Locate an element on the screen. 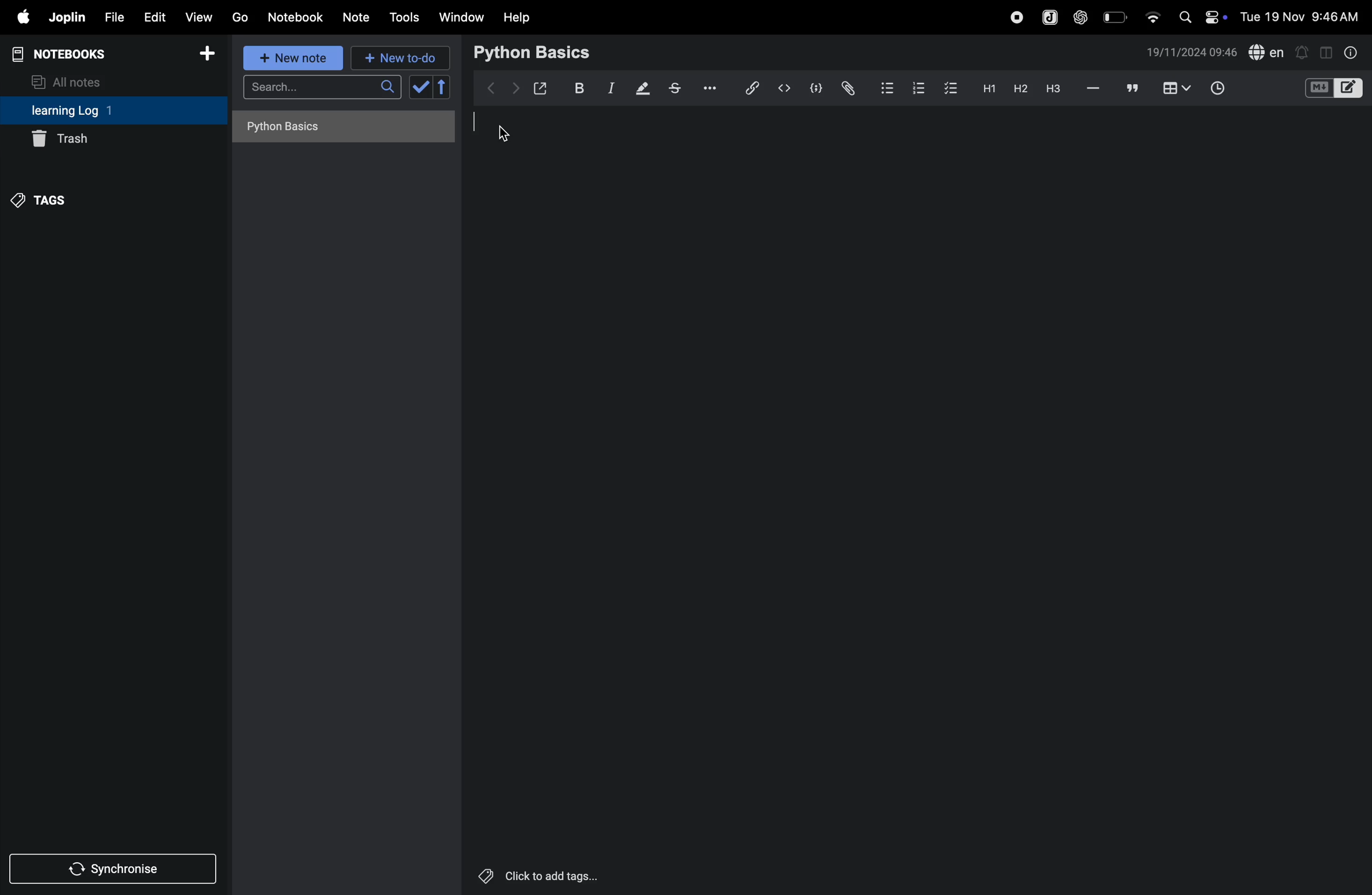 The width and height of the screenshot is (1372, 895). chatgpt is located at coordinates (1081, 16).